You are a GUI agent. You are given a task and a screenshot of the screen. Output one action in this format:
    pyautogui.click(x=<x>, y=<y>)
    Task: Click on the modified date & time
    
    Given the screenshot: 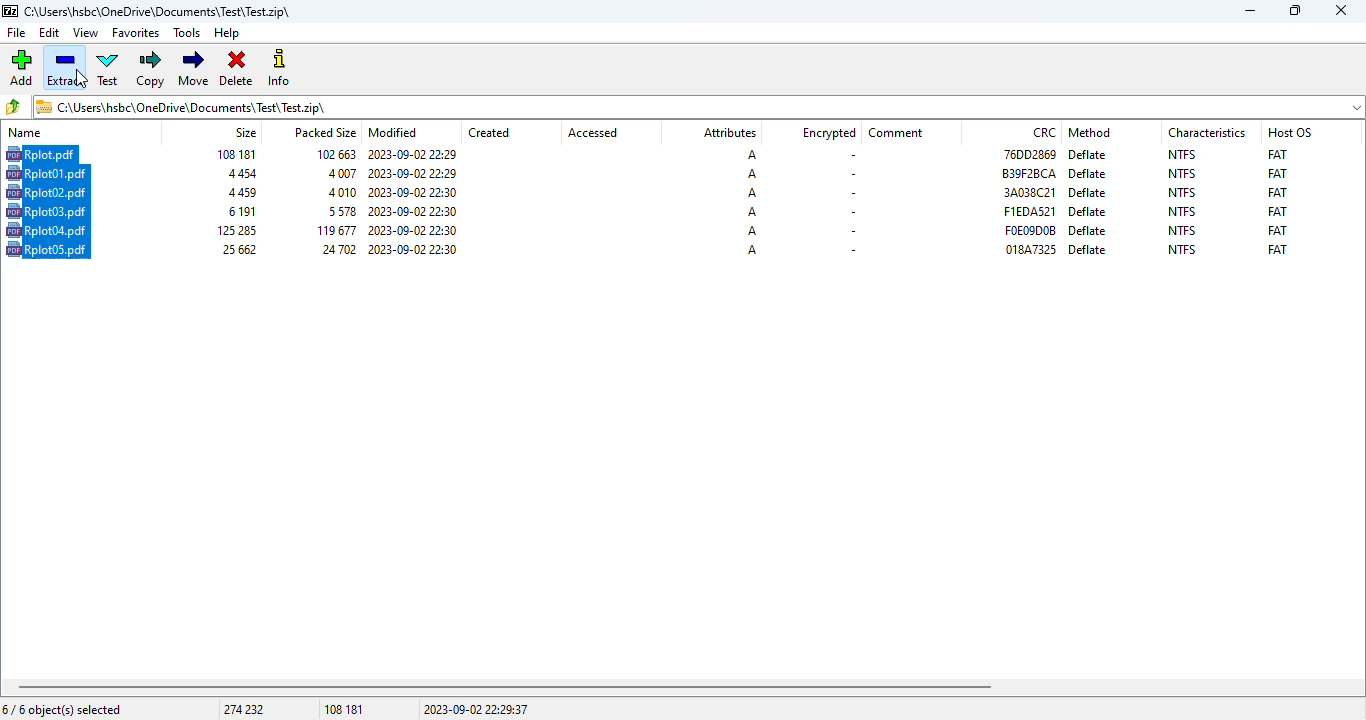 What is the action you would take?
    pyautogui.click(x=412, y=155)
    